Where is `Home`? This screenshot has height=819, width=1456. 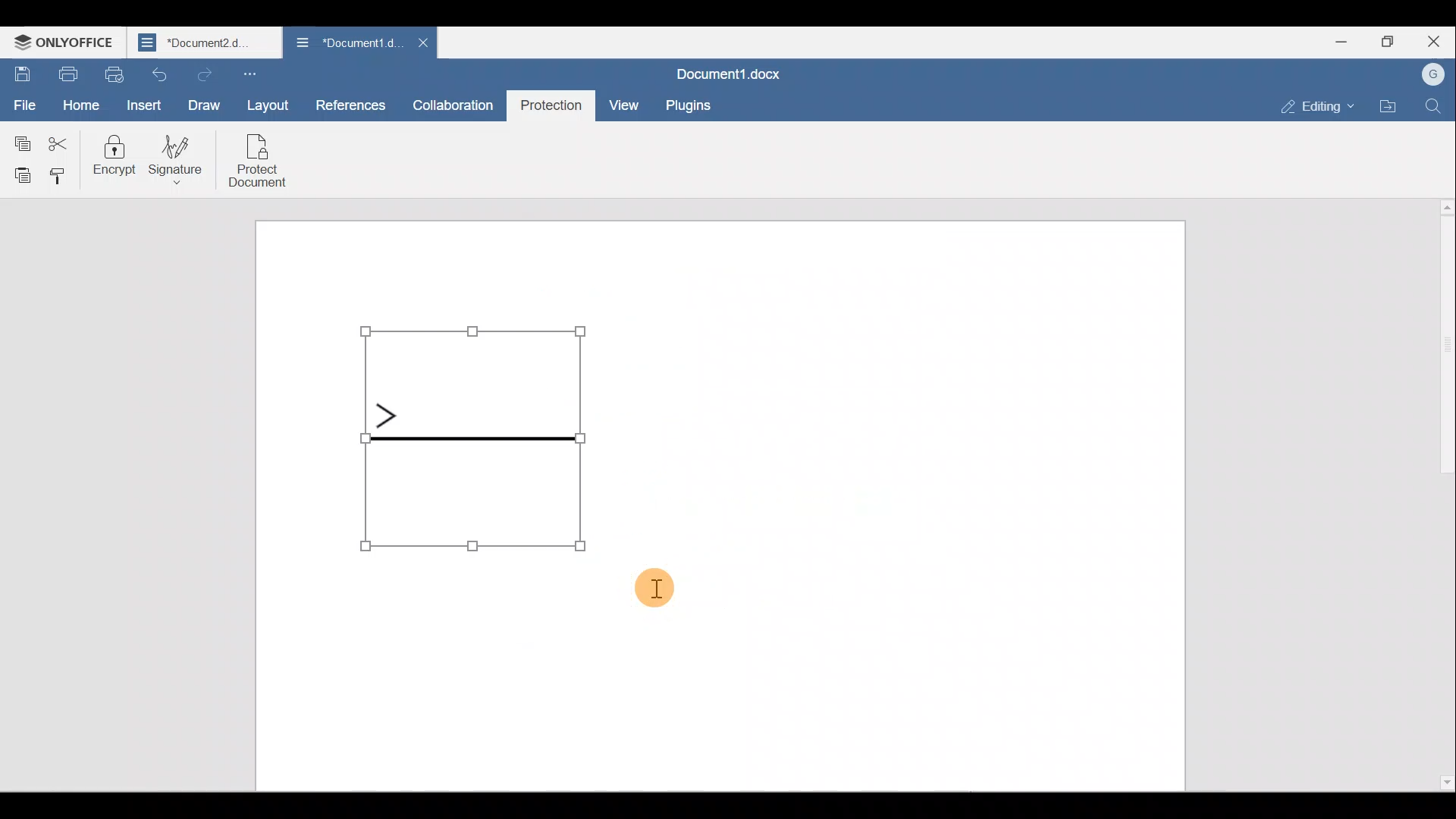
Home is located at coordinates (80, 105).